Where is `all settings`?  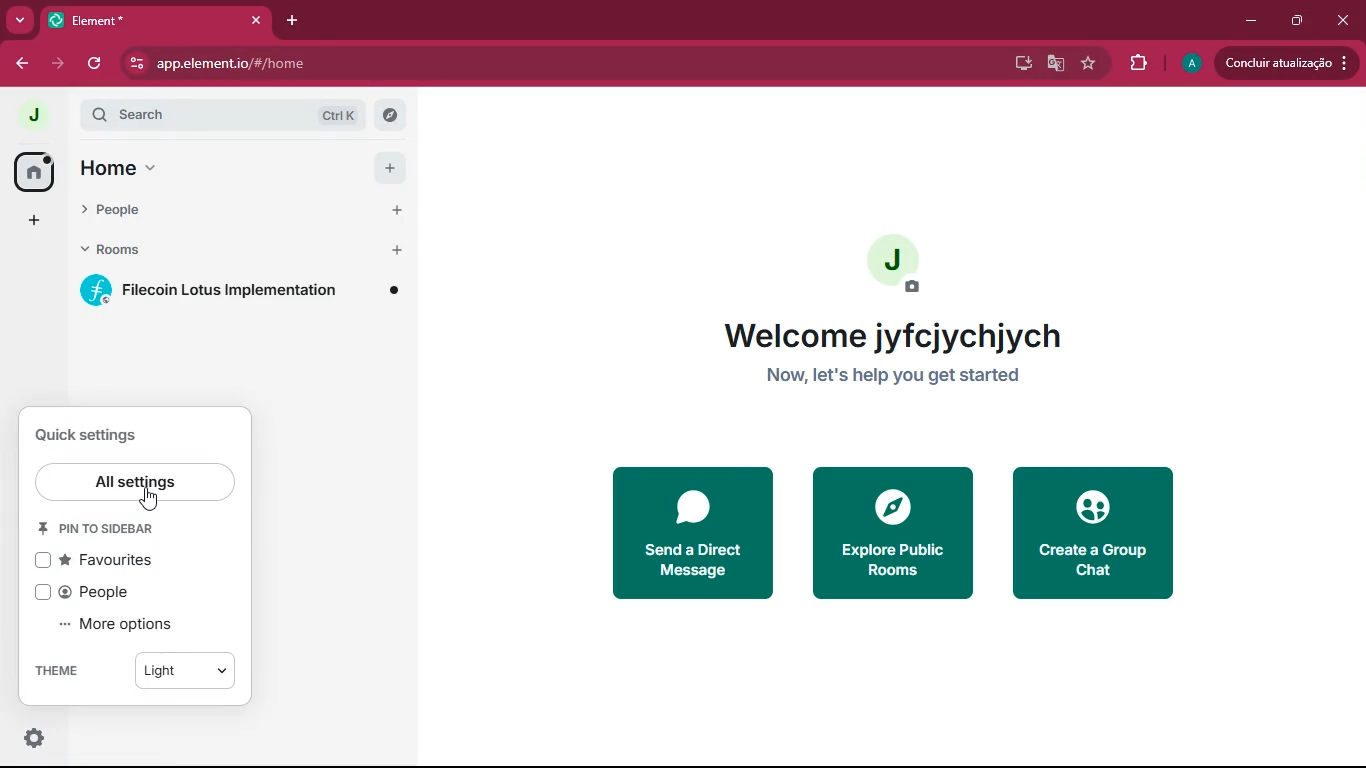 all settings is located at coordinates (139, 483).